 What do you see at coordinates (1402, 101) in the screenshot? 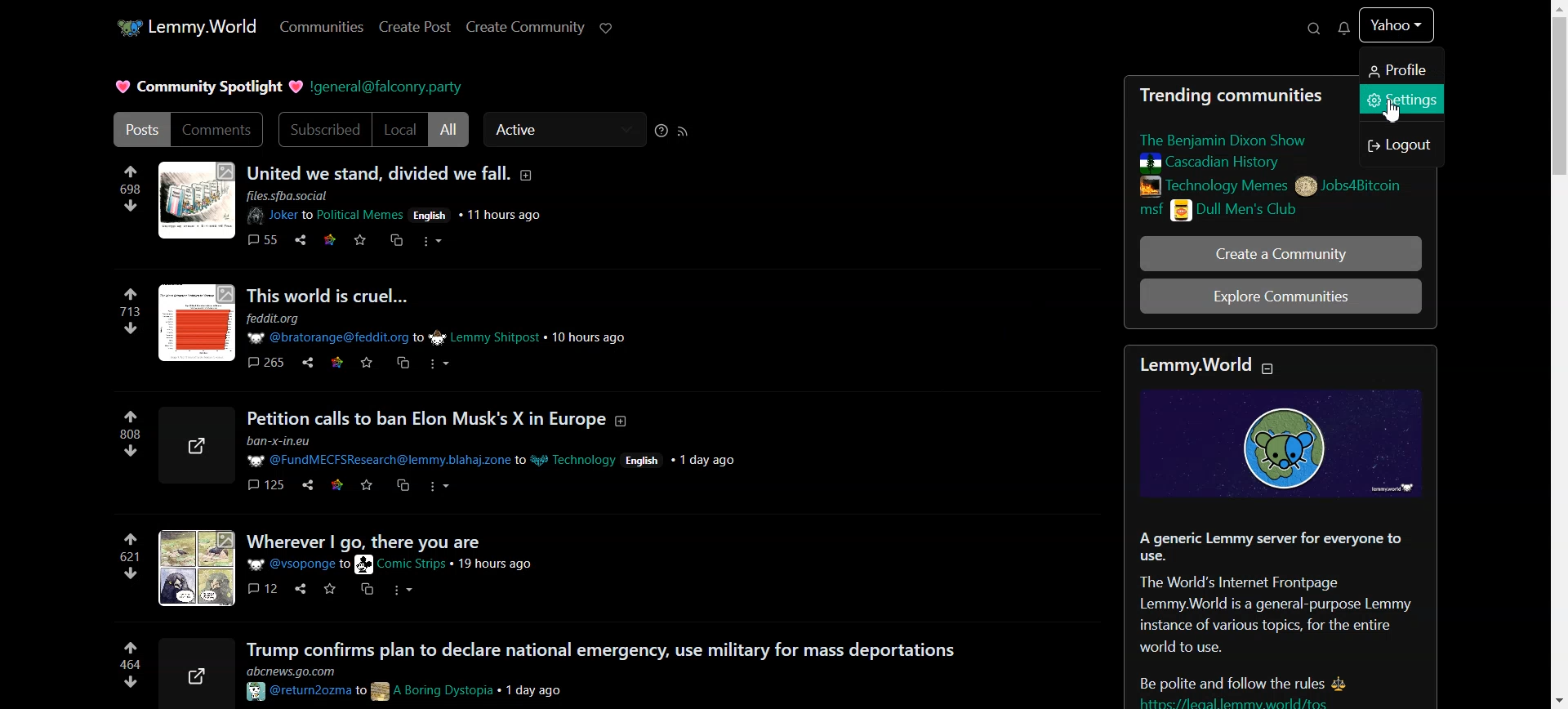
I see `Settings` at bounding box center [1402, 101].